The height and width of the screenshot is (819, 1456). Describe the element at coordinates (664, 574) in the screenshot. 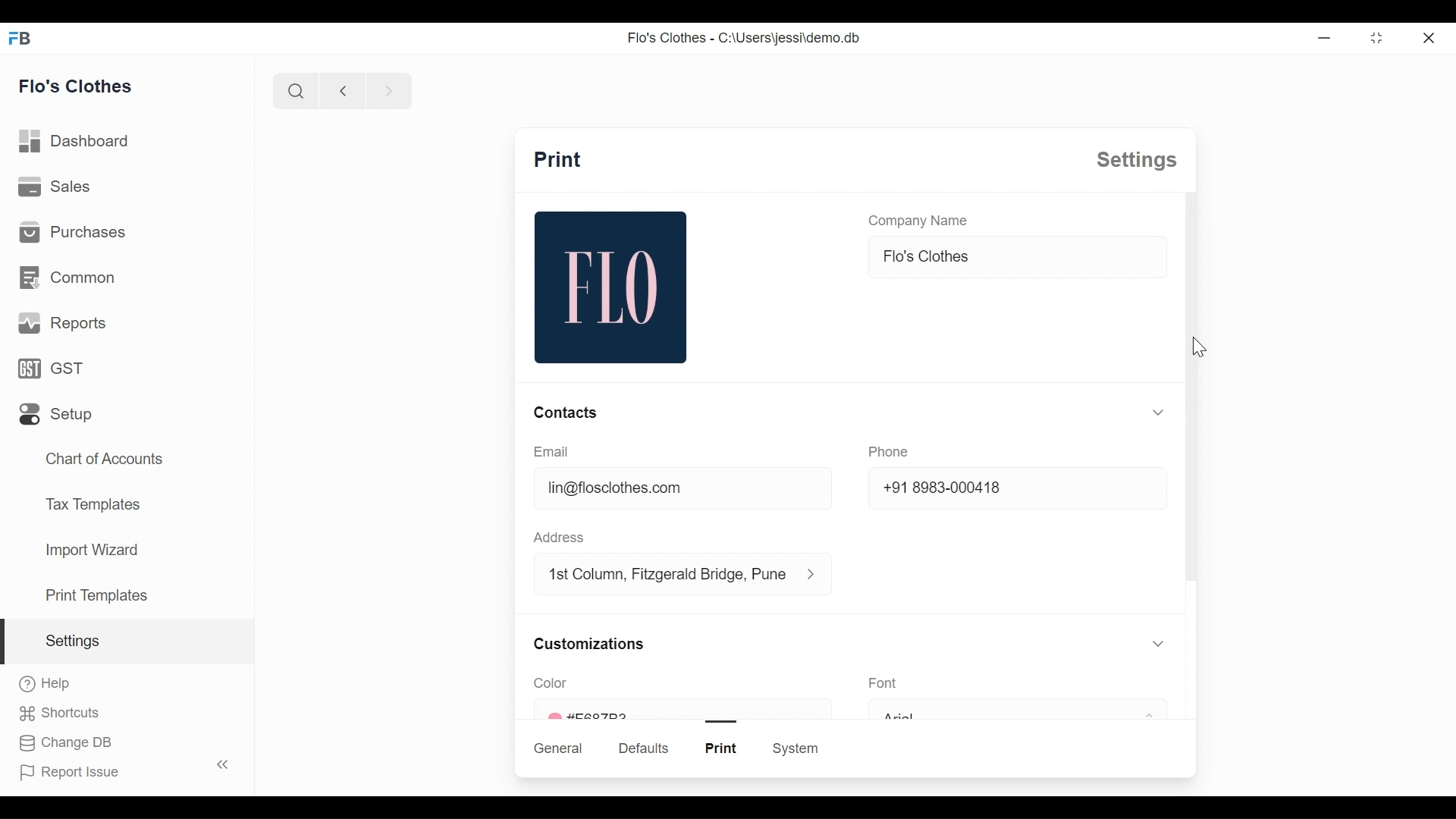

I see `1st column, fitzgerald bridge, Pune` at that location.